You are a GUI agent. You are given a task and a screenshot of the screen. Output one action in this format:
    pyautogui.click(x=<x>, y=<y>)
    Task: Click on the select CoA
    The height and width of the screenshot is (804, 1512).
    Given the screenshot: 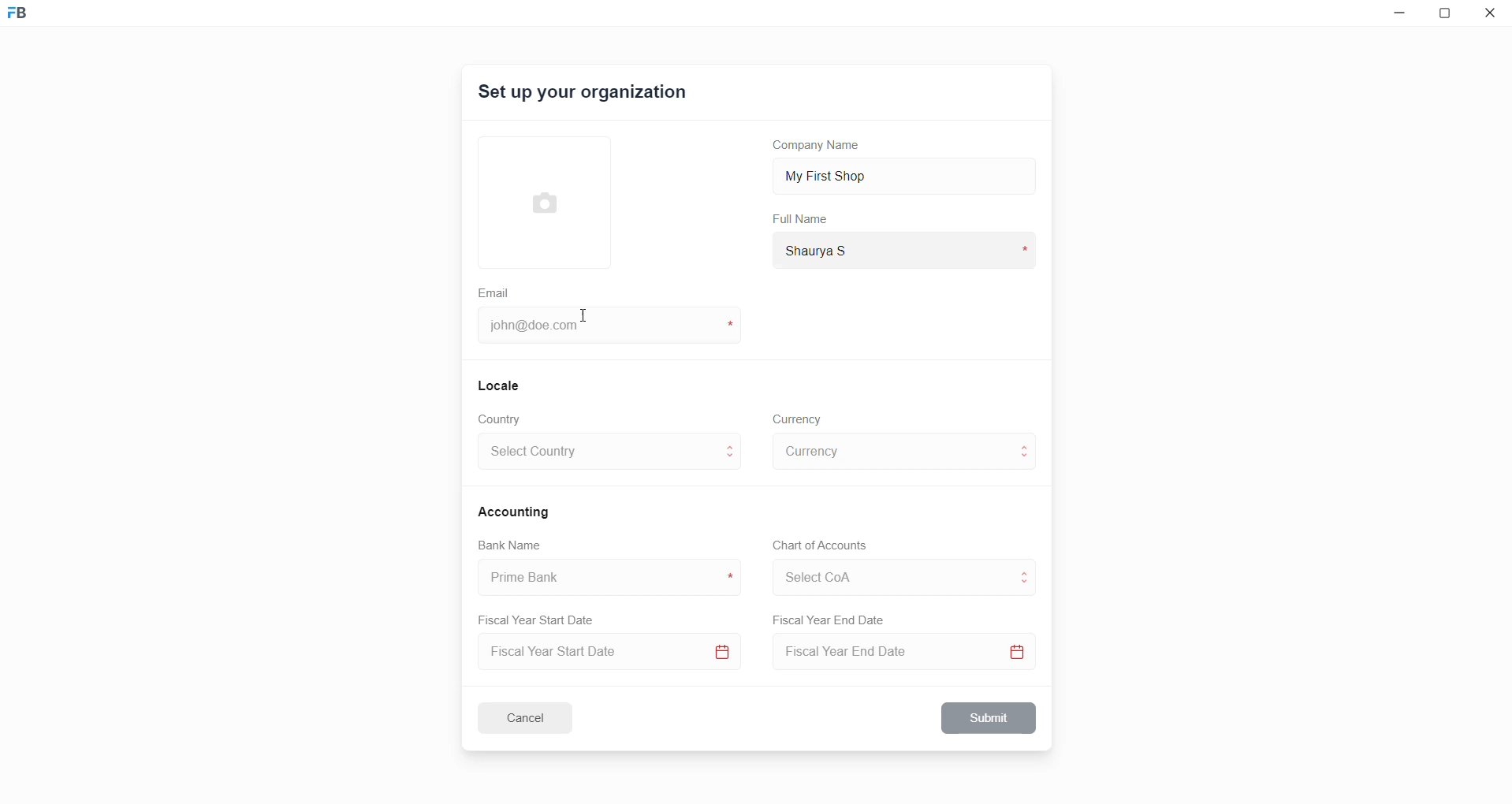 What is the action you would take?
    pyautogui.click(x=886, y=575)
    